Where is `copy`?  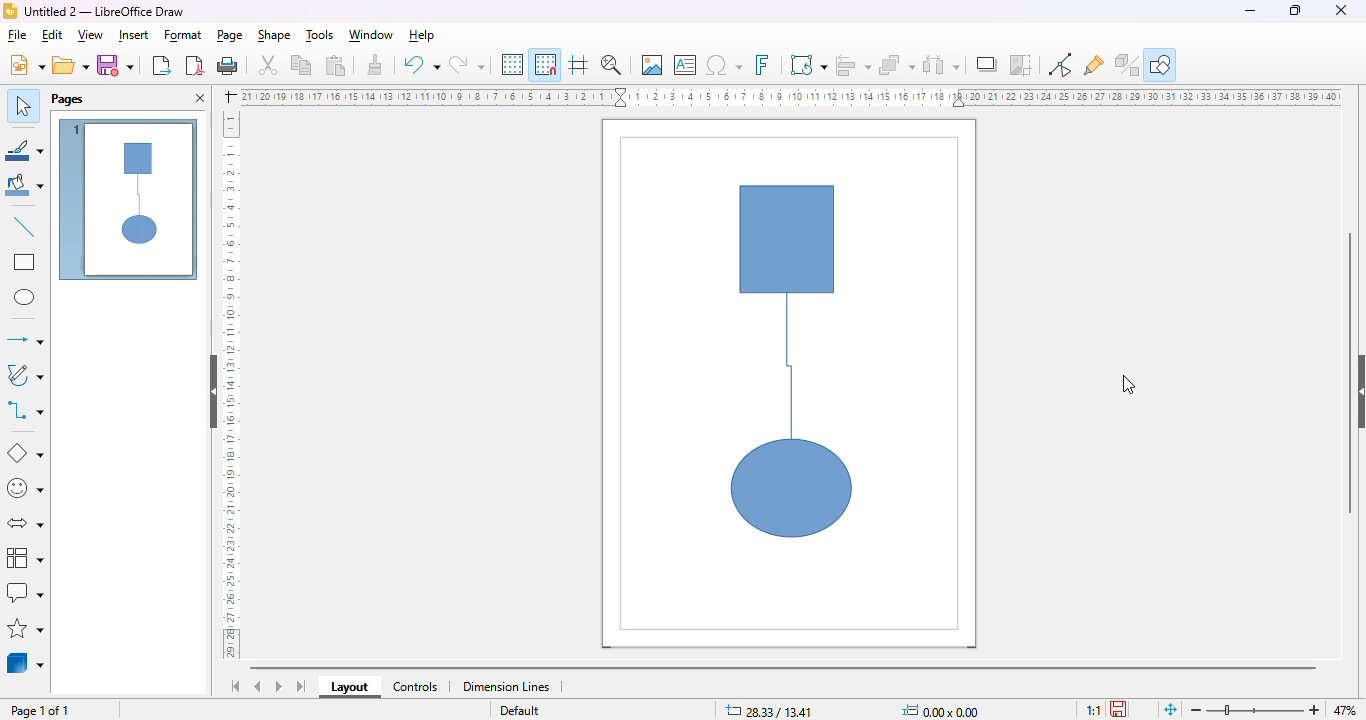
copy is located at coordinates (301, 65).